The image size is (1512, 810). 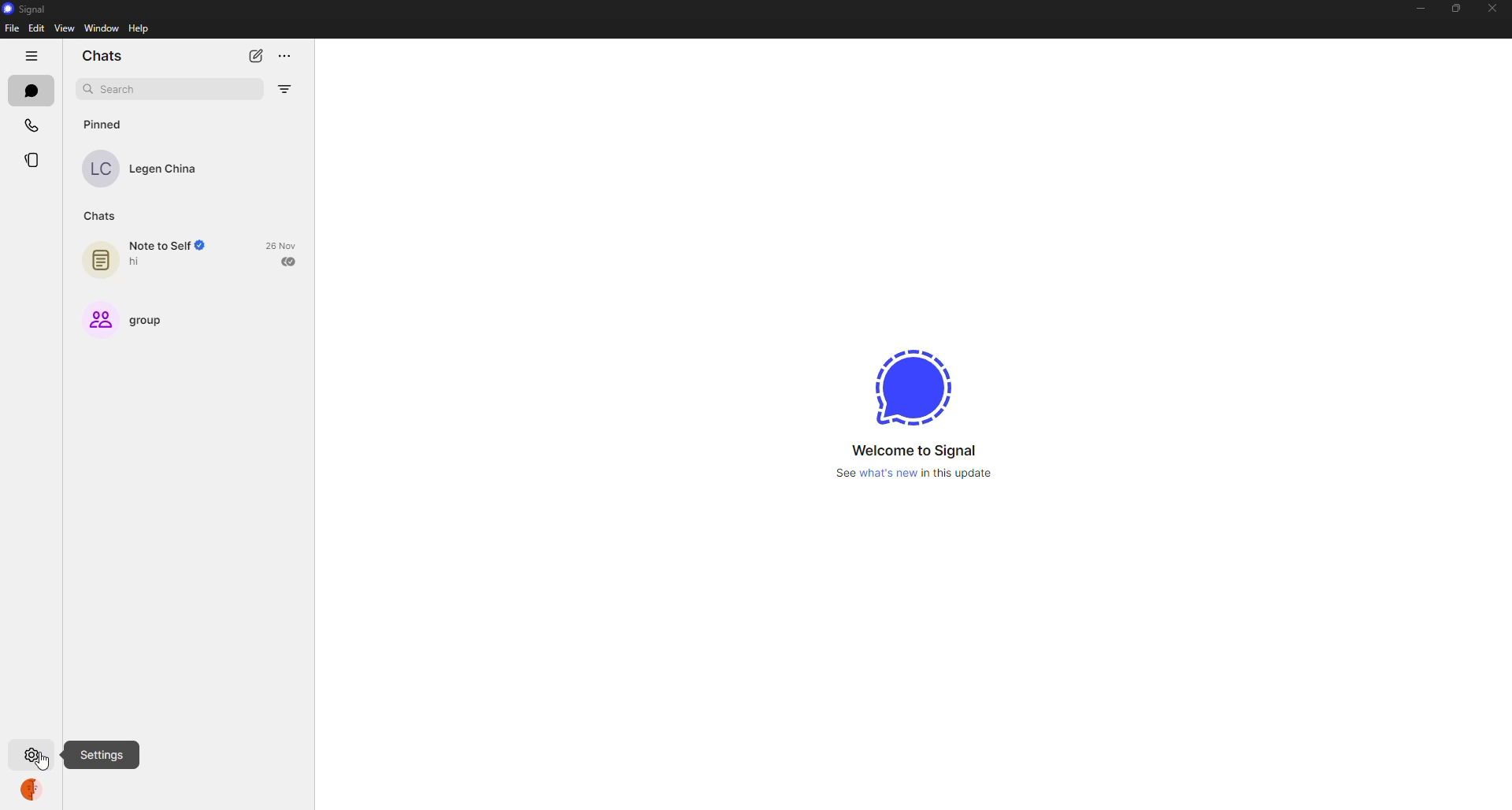 I want to click on profile, so click(x=35, y=792).